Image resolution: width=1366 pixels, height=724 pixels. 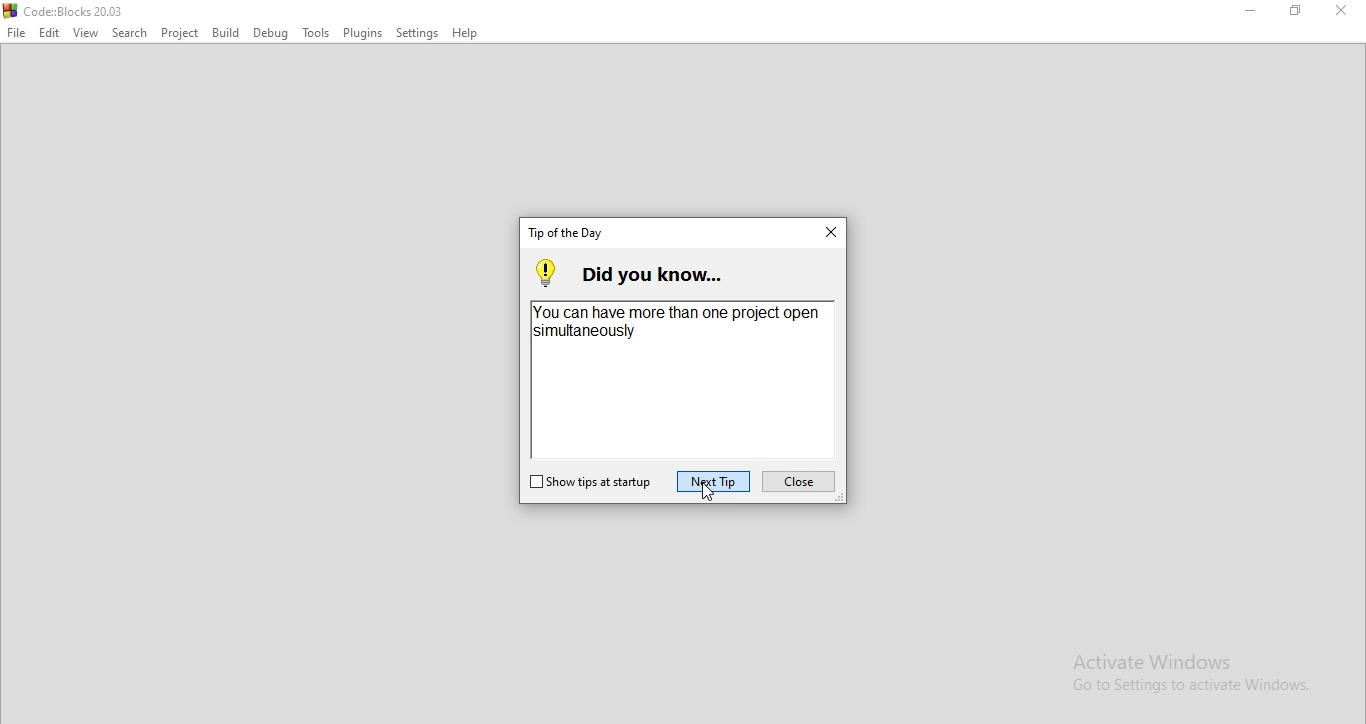 What do you see at coordinates (64, 9) in the screenshot?
I see `logo` at bounding box center [64, 9].